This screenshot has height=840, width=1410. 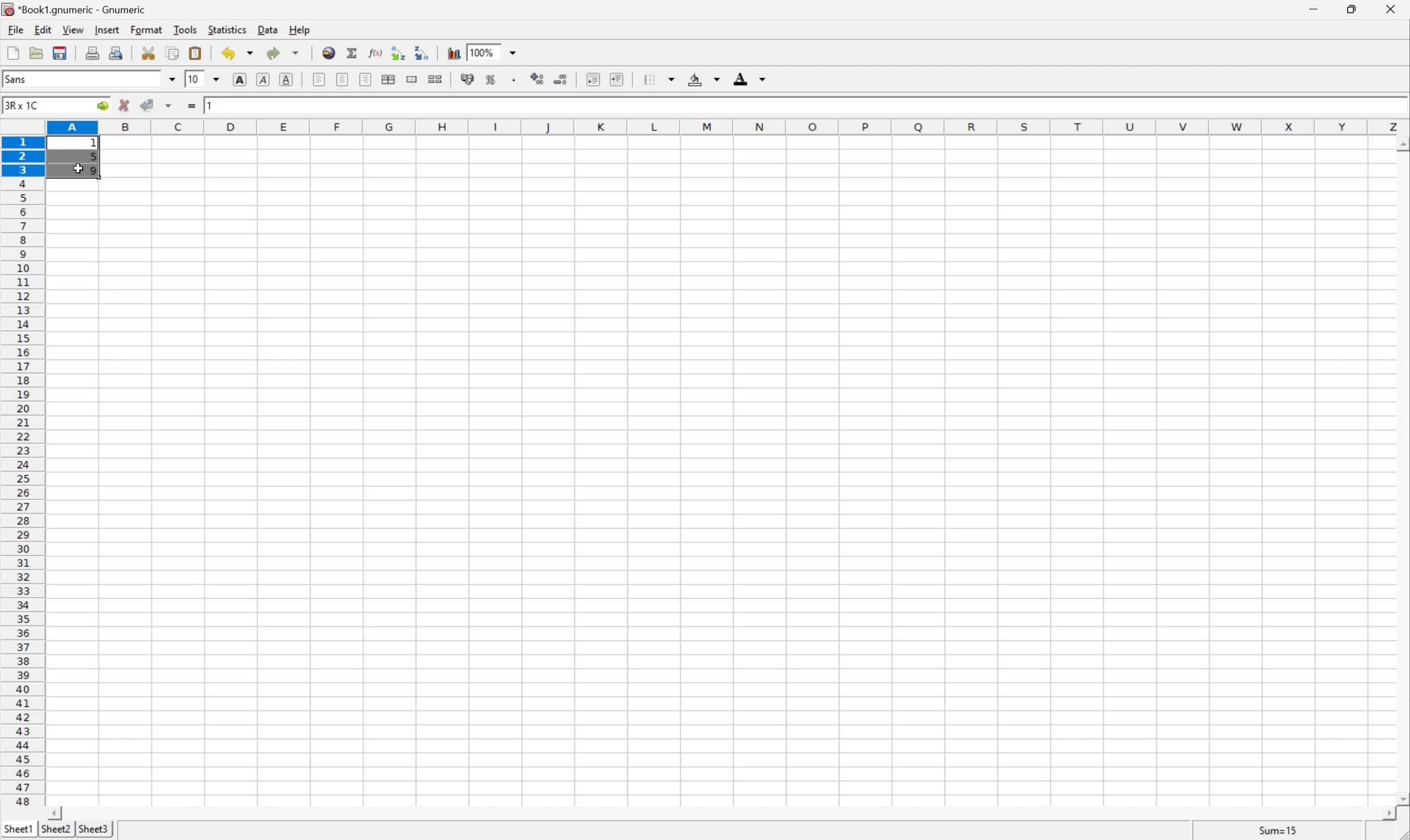 I want to click on save current workbook, so click(x=60, y=53).